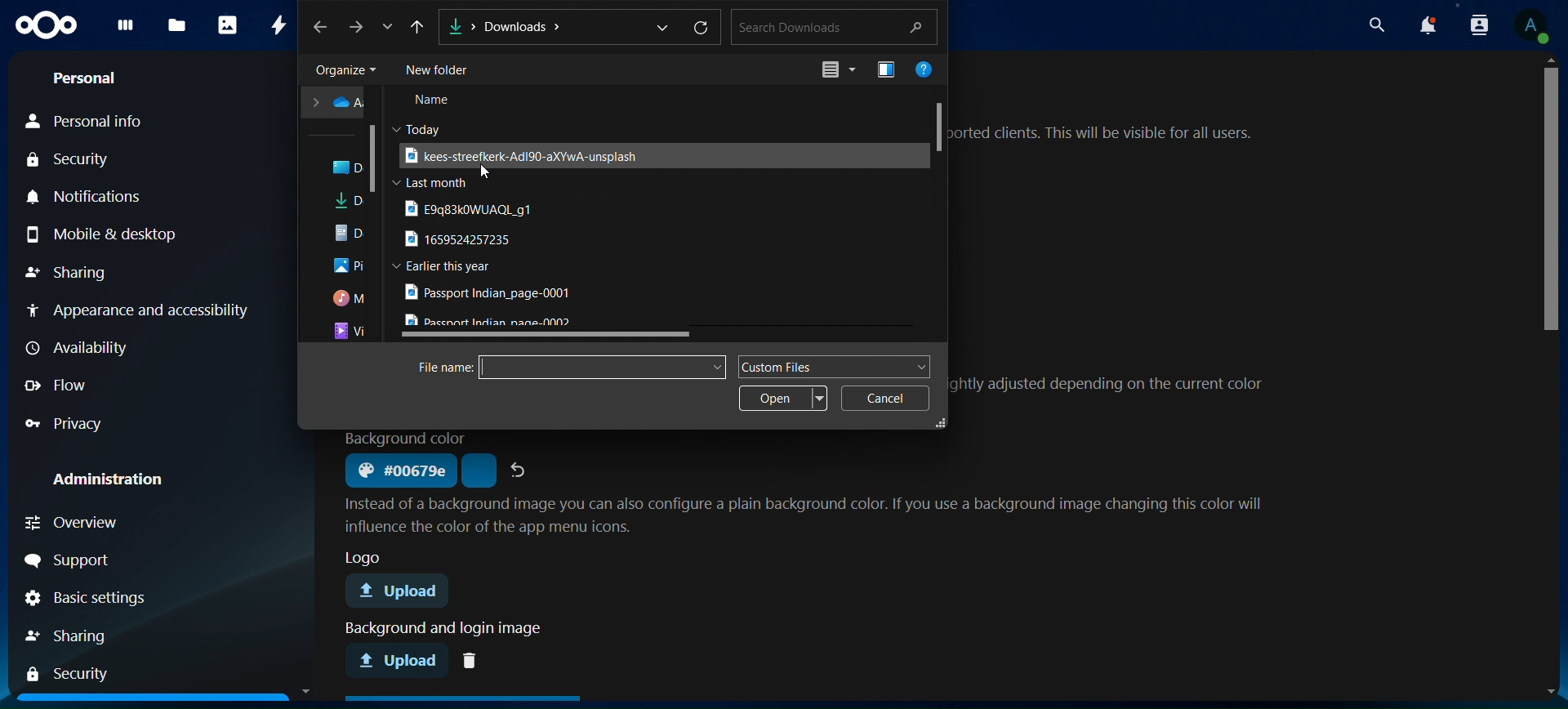  Describe the element at coordinates (92, 79) in the screenshot. I see `personal` at that location.